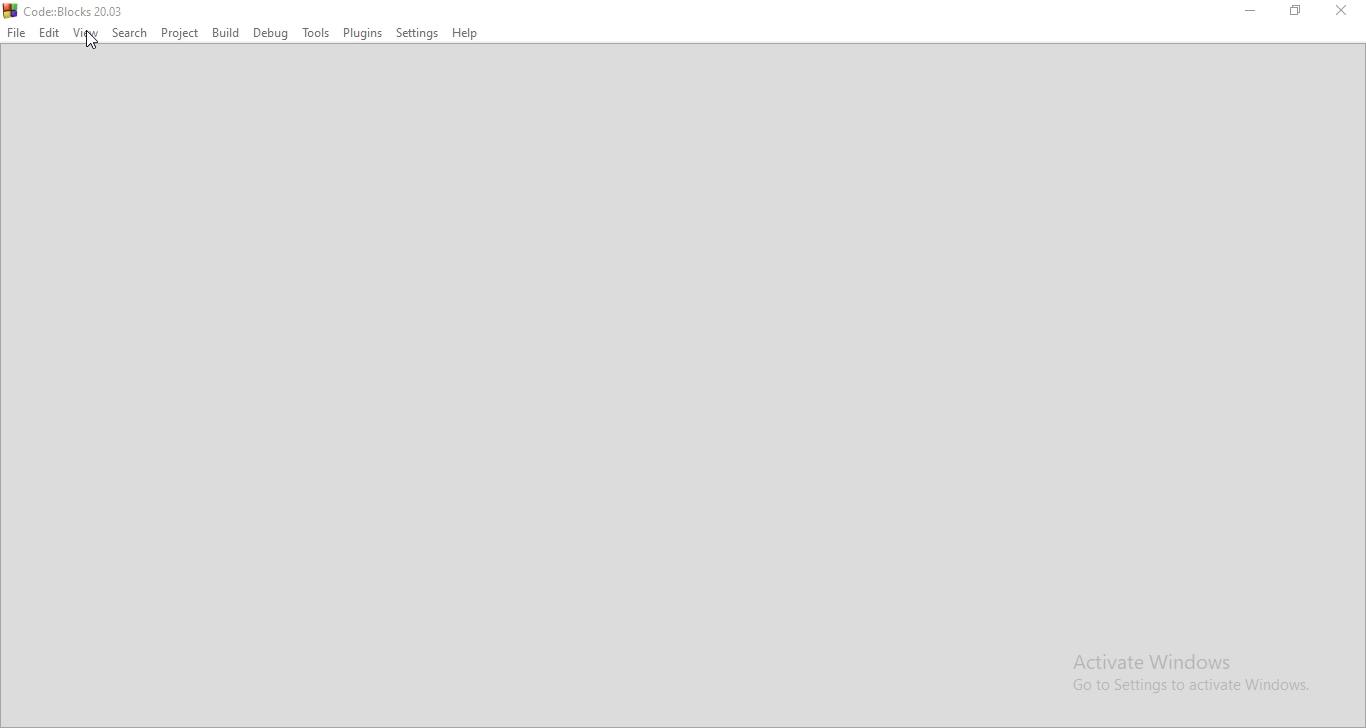  Describe the element at coordinates (466, 32) in the screenshot. I see `Help` at that location.